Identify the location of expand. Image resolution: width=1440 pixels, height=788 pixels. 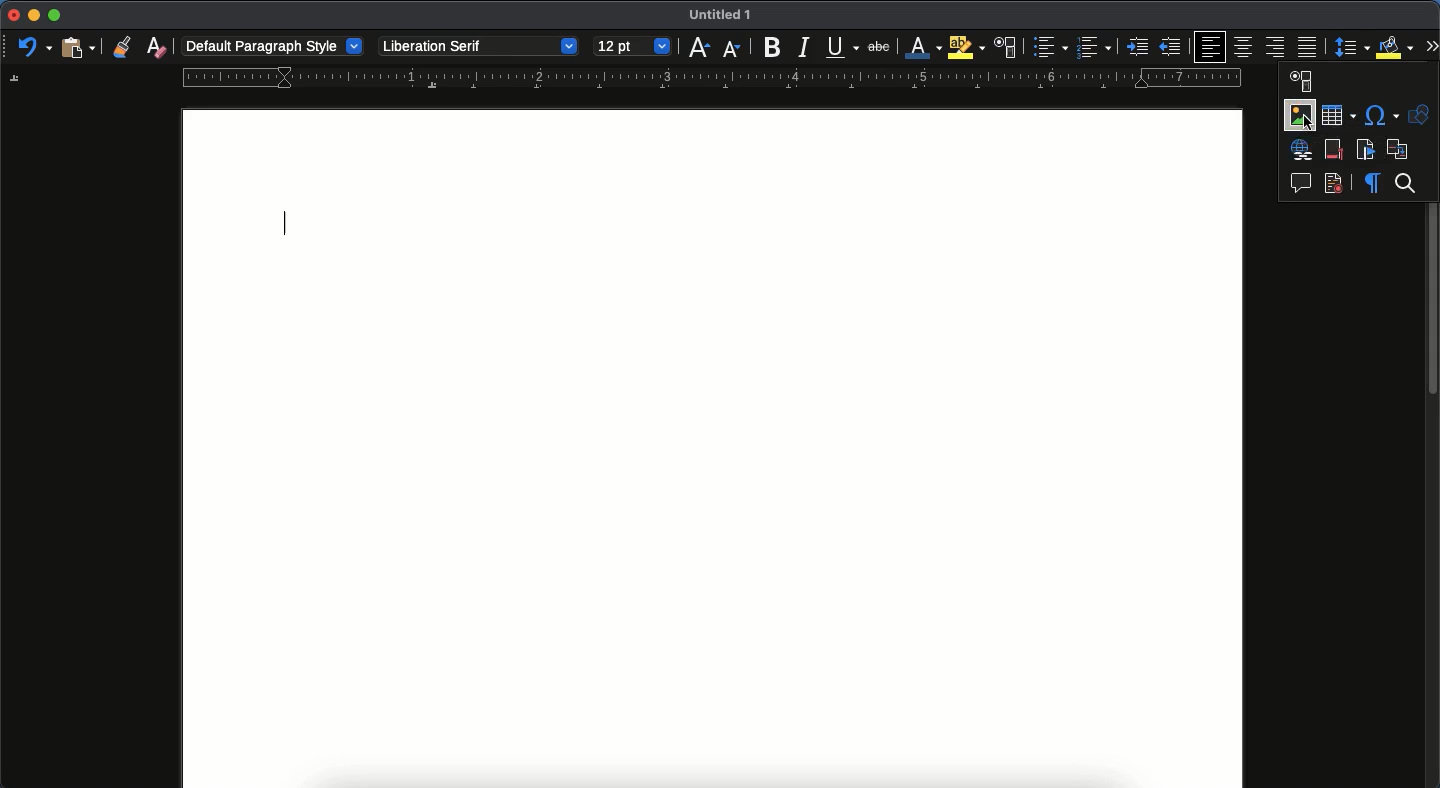
(1431, 48).